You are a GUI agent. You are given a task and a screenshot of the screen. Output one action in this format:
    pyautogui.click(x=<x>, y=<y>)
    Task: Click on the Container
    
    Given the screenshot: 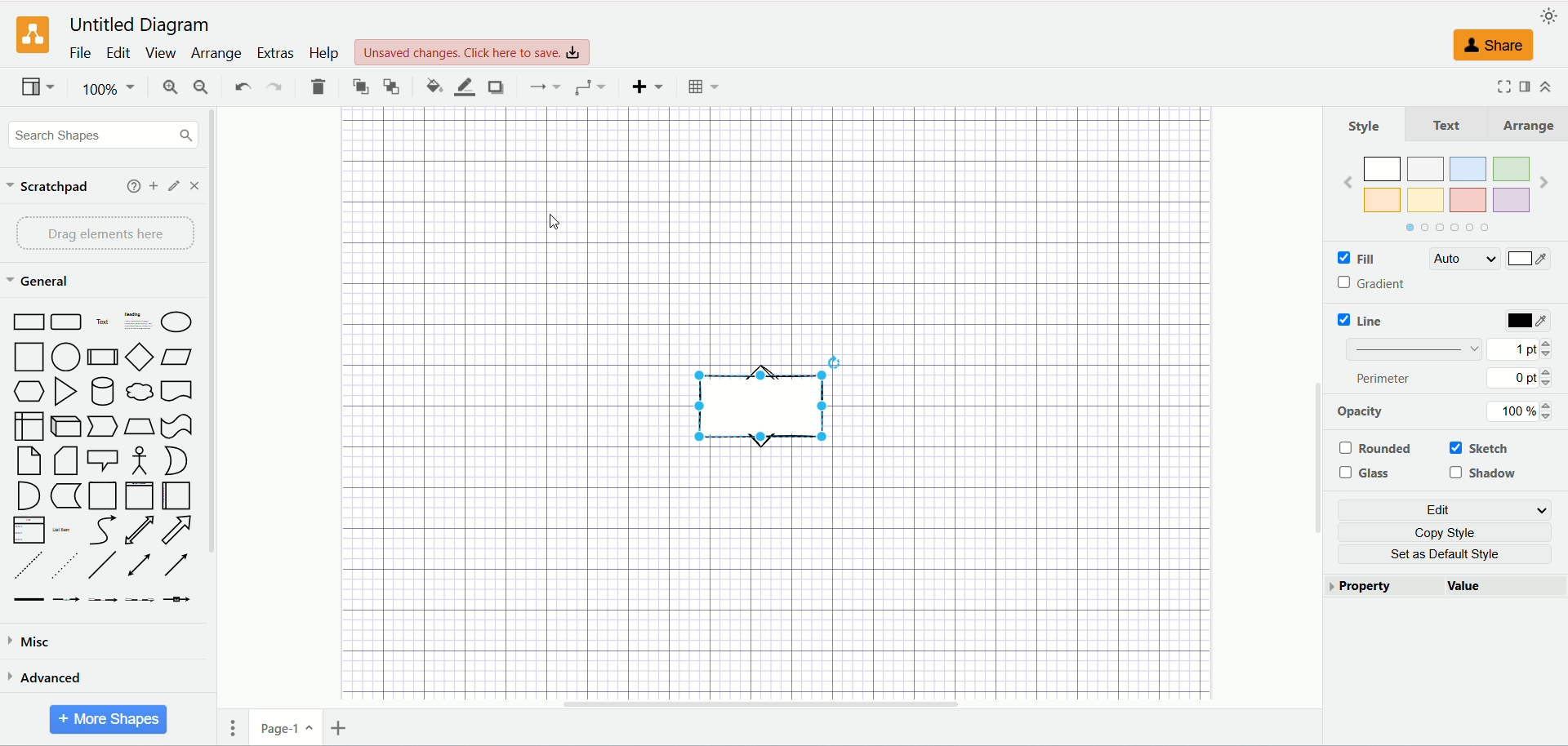 What is the action you would take?
    pyautogui.click(x=103, y=495)
    